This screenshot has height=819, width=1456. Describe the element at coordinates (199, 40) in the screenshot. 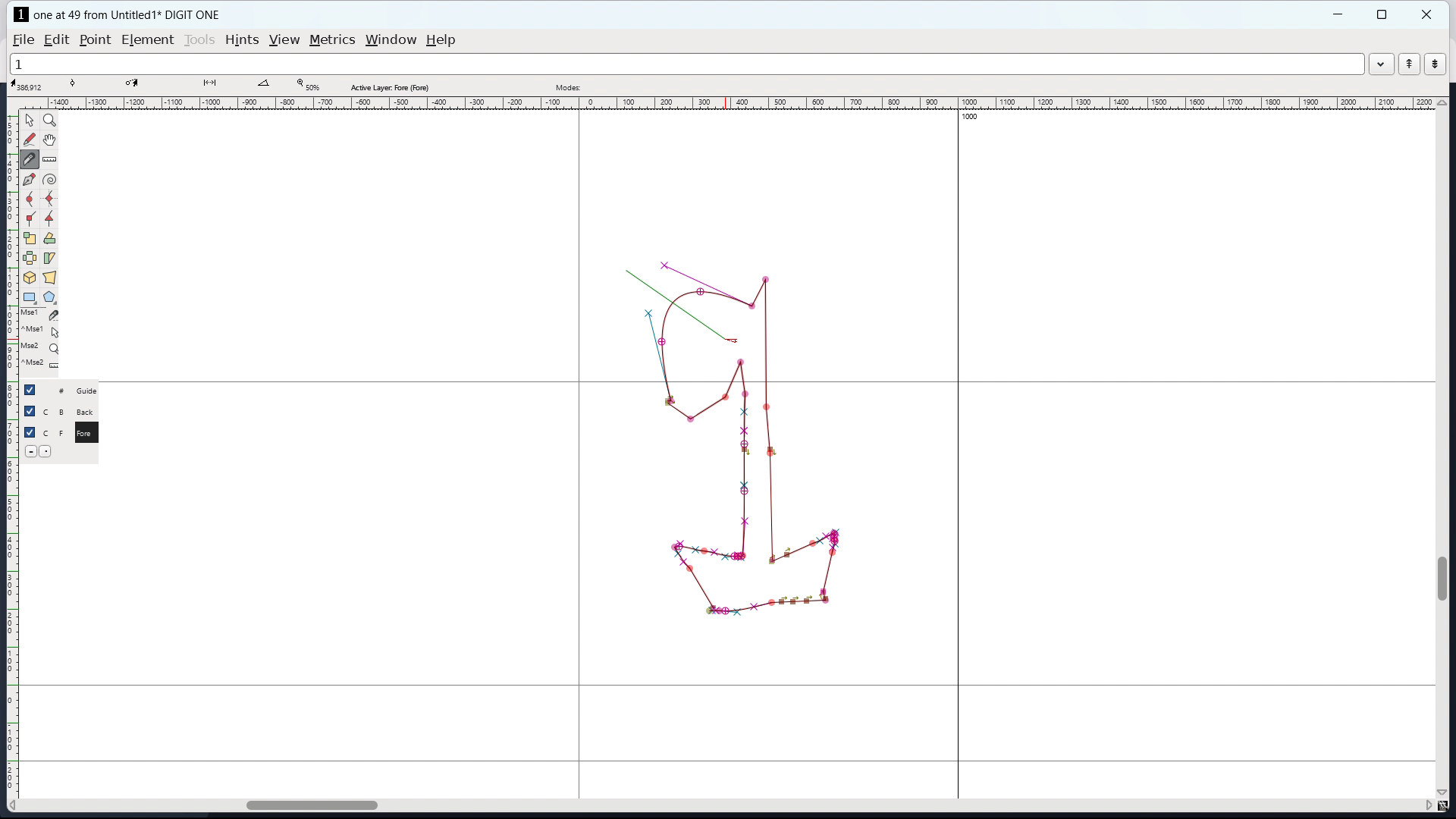

I see `tools` at that location.